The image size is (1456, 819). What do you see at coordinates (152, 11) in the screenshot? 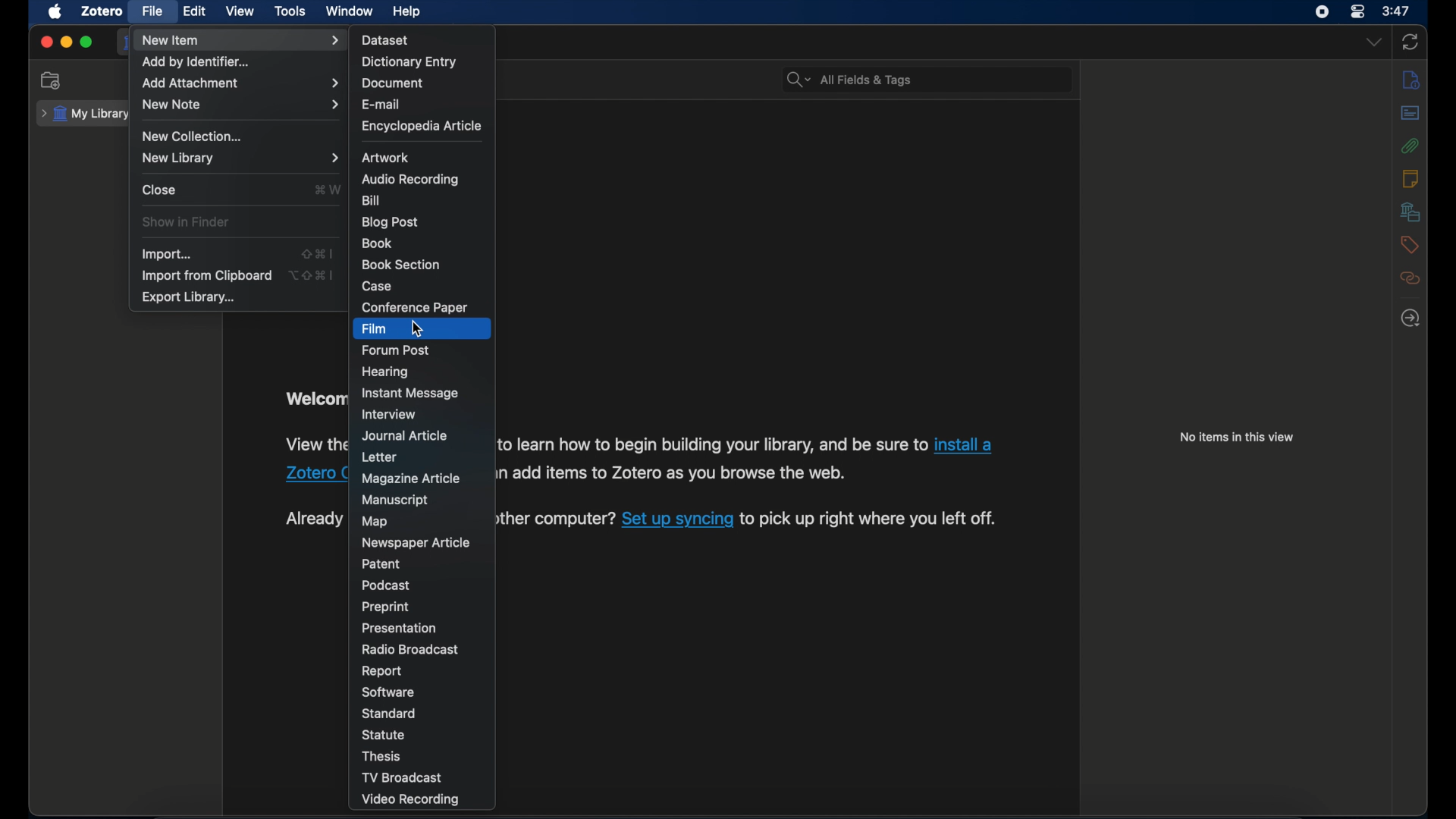
I see `file` at bounding box center [152, 11].